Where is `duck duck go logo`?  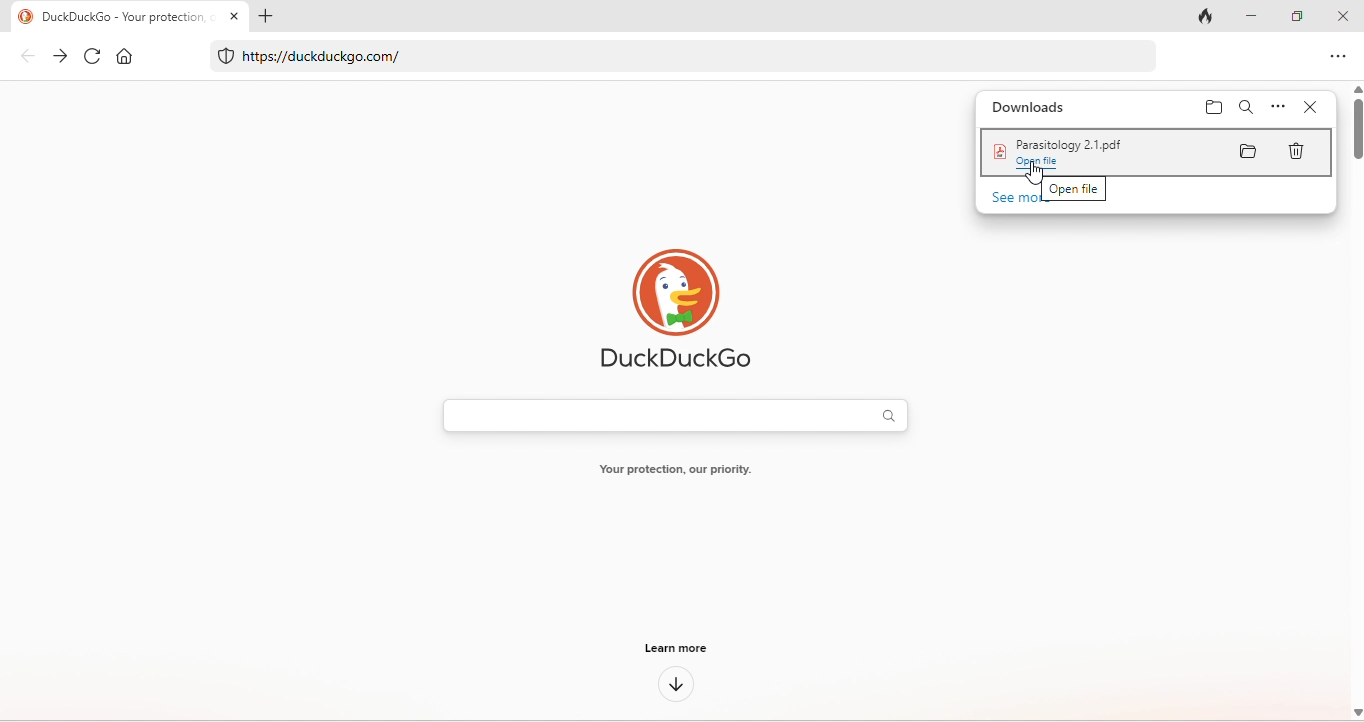 duck duck go logo is located at coordinates (677, 307).